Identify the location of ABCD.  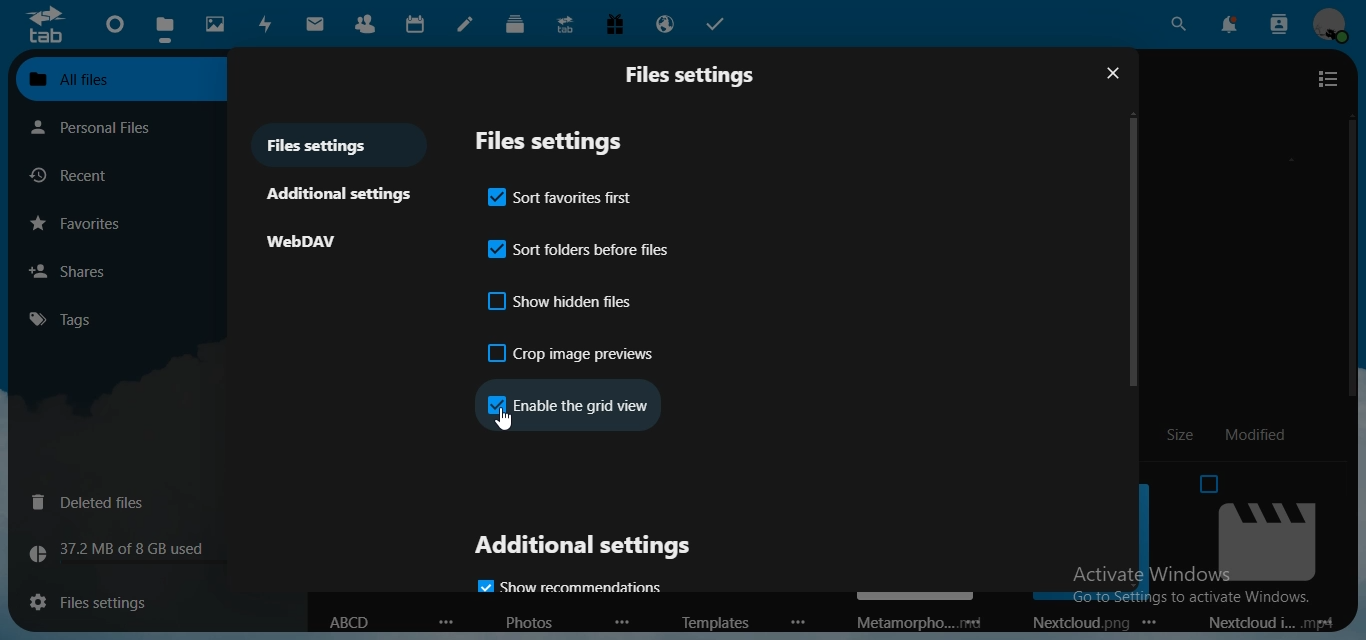
(350, 622).